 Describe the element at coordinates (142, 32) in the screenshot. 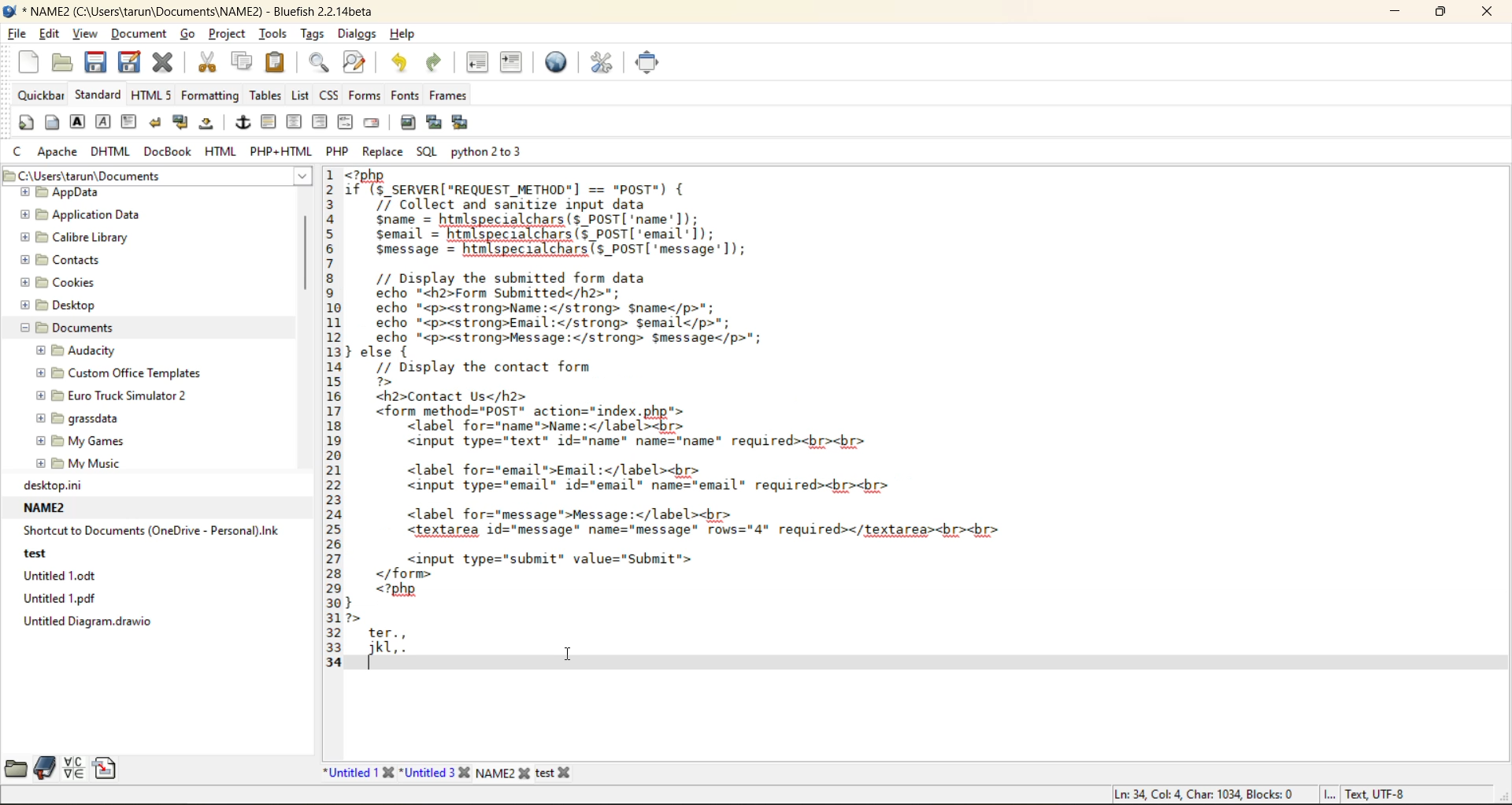

I see `document` at that location.